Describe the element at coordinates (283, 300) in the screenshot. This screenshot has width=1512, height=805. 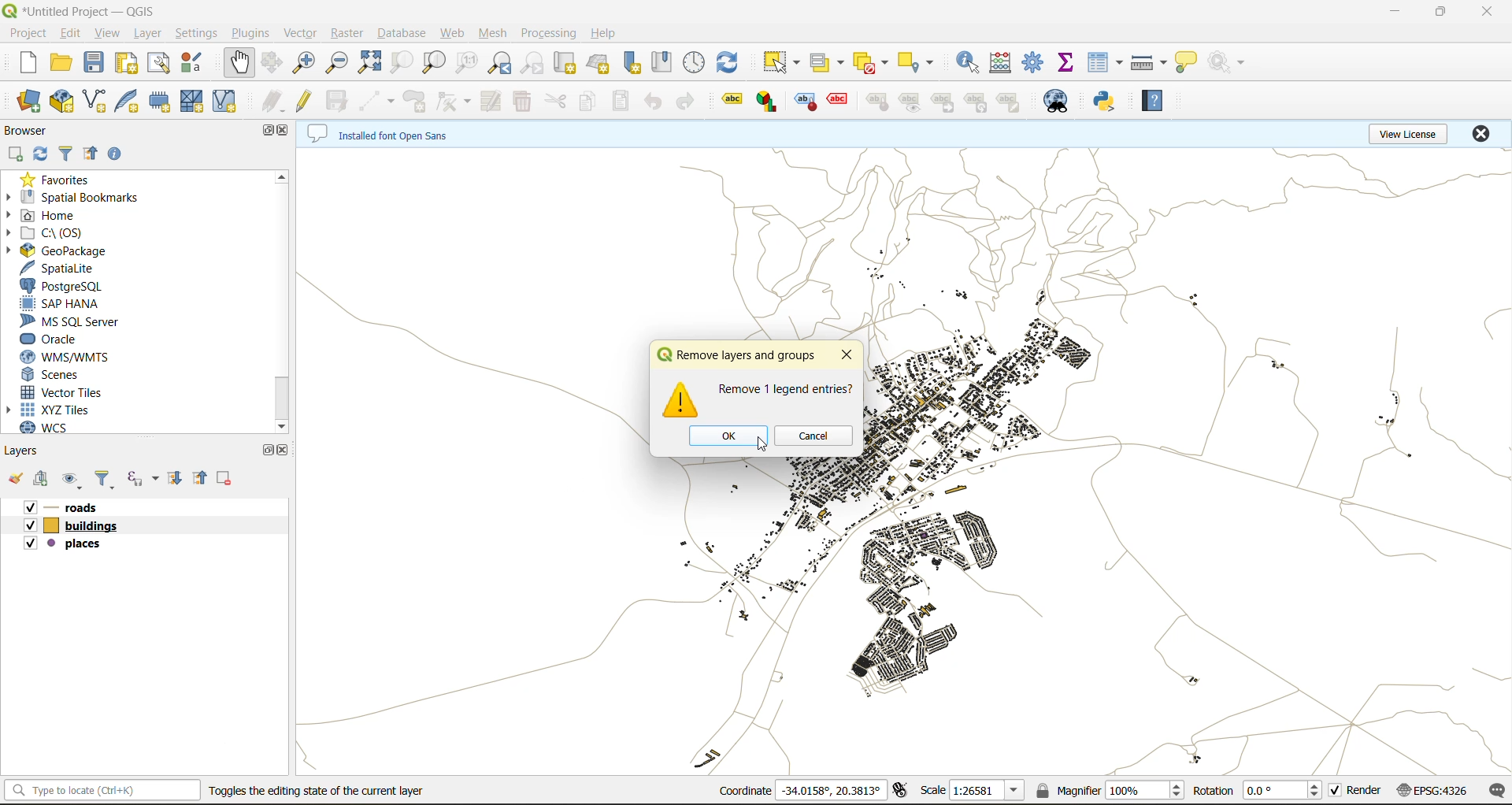
I see `|scroll bar` at that location.